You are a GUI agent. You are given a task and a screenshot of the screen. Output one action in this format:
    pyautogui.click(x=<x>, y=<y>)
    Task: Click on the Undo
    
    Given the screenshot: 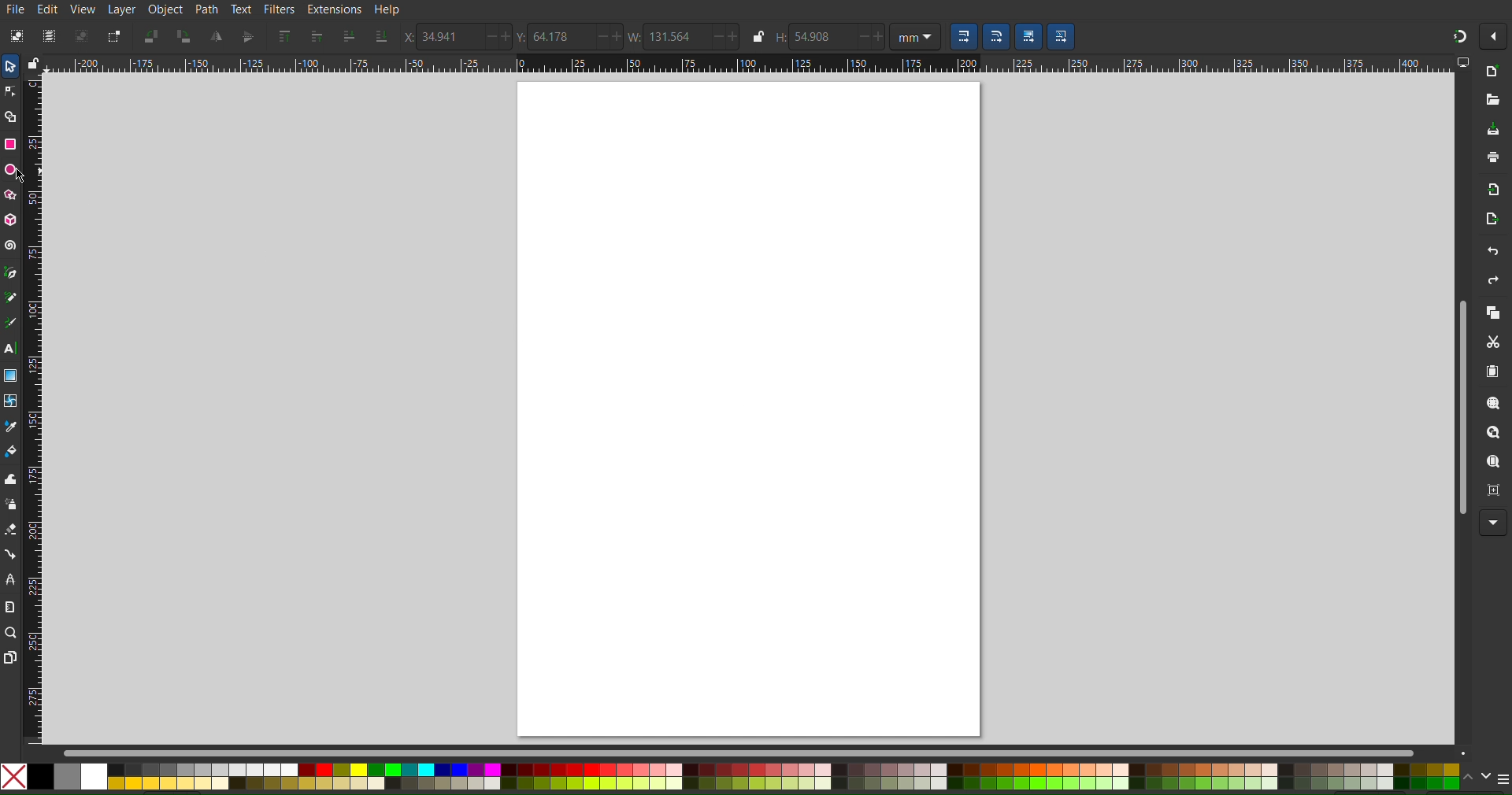 What is the action you would take?
    pyautogui.click(x=1492, y=249)
    